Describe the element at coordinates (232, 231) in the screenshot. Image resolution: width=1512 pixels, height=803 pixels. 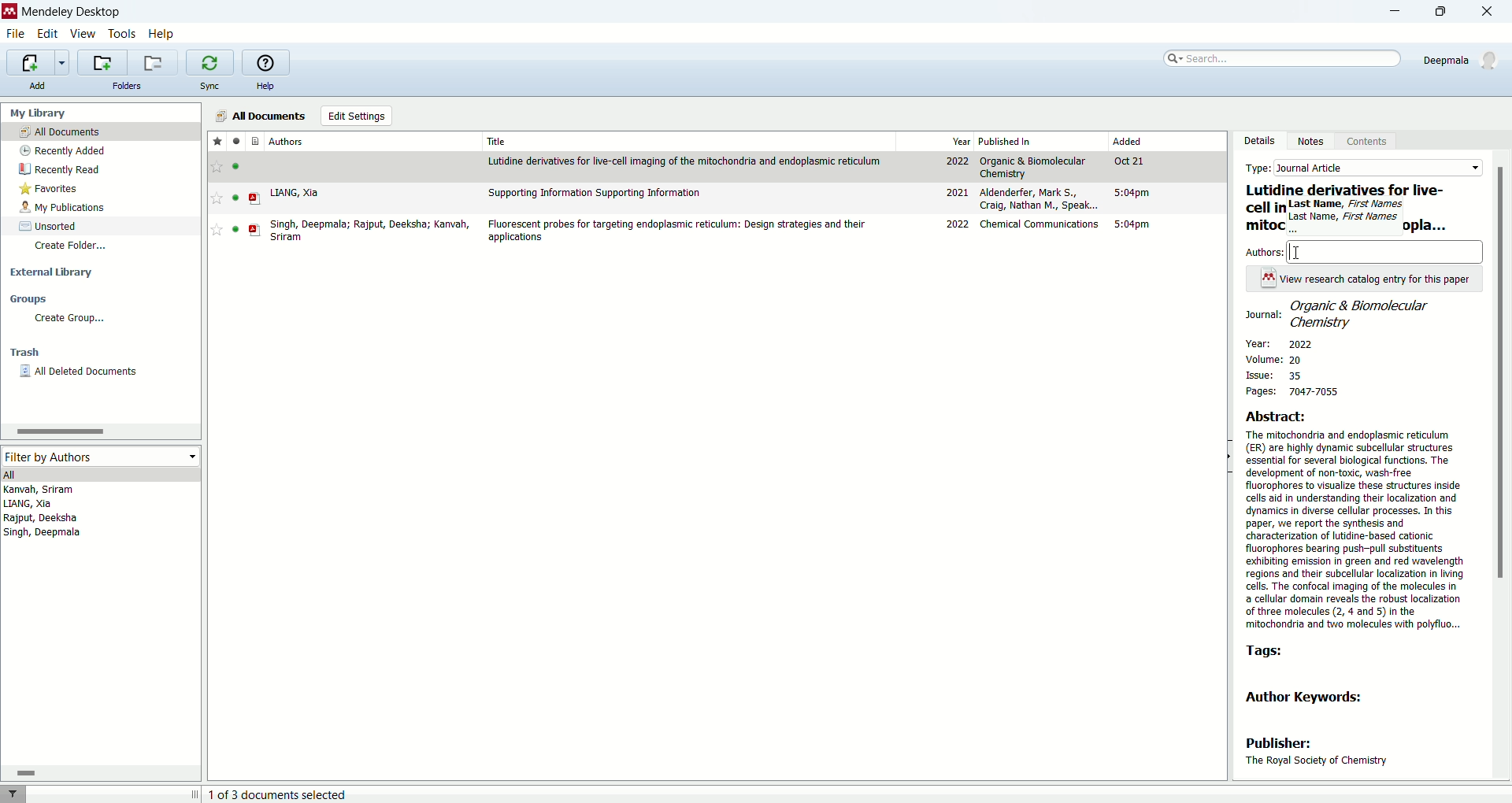
I see `read/unread` at that location.